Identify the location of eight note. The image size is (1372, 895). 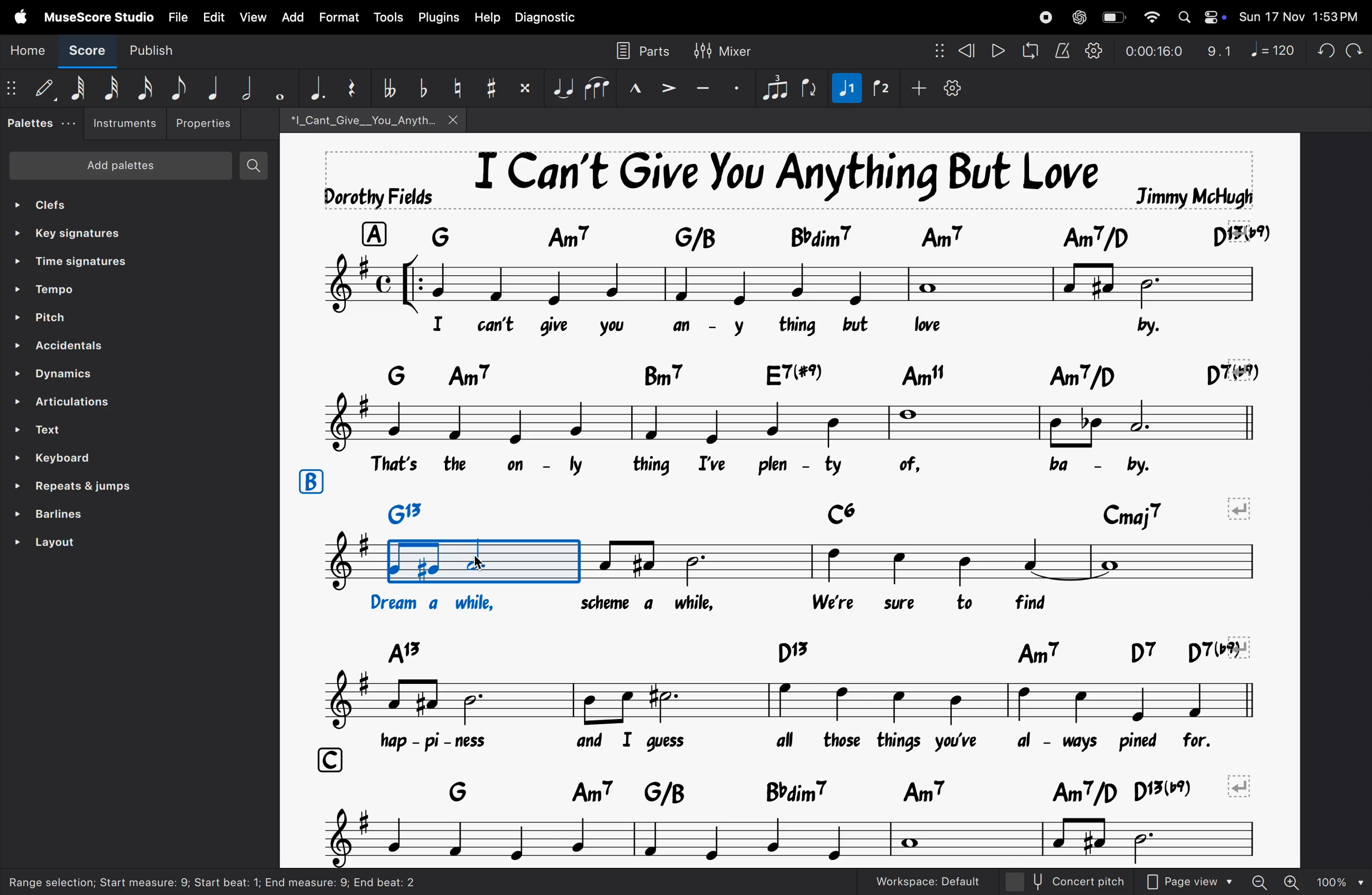
(179, 87).